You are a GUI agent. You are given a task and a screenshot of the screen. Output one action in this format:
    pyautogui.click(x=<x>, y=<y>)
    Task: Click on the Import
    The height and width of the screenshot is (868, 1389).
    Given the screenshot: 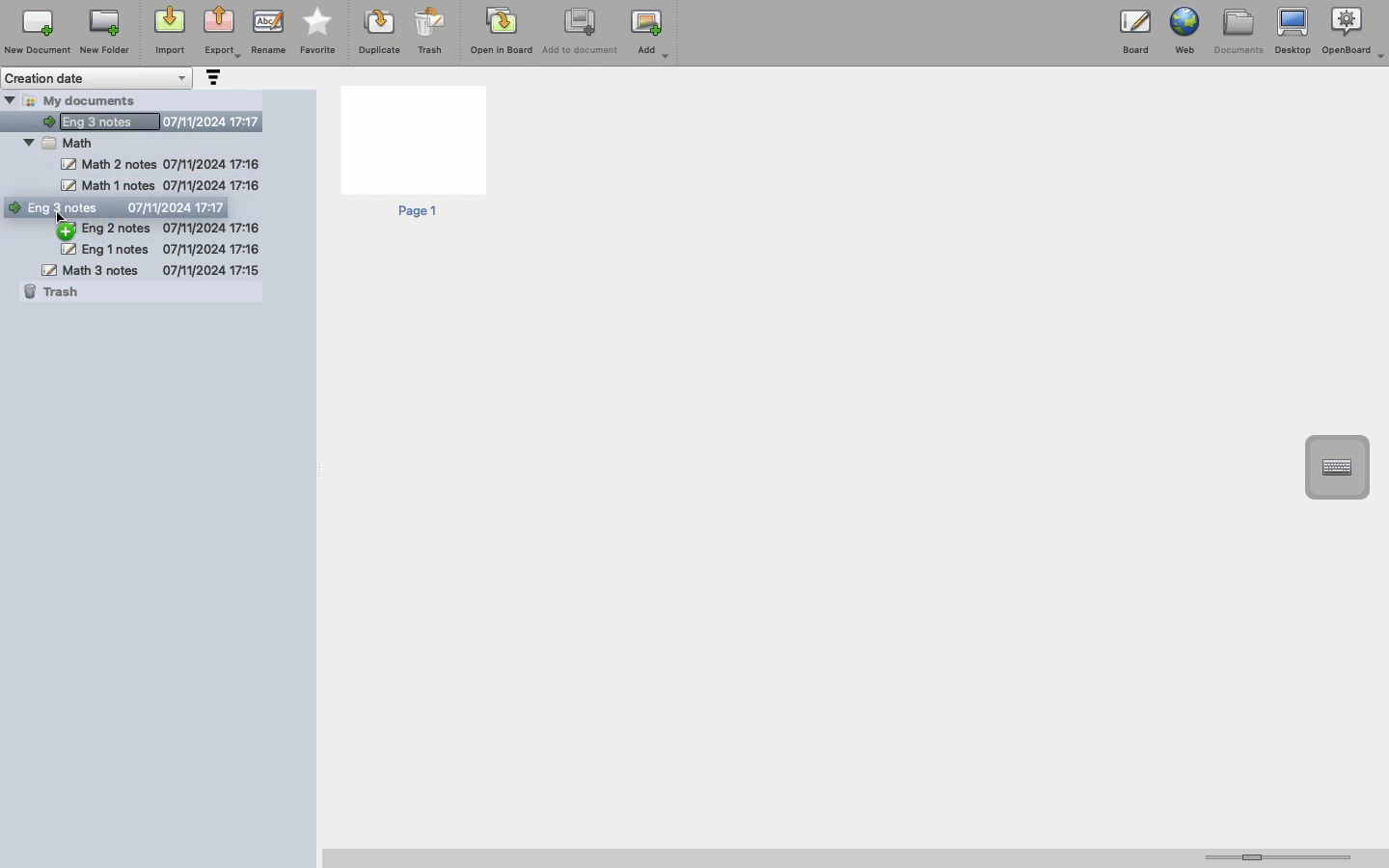 What is the action you would take?
    pyautogui.click(x=168, y=32)
    